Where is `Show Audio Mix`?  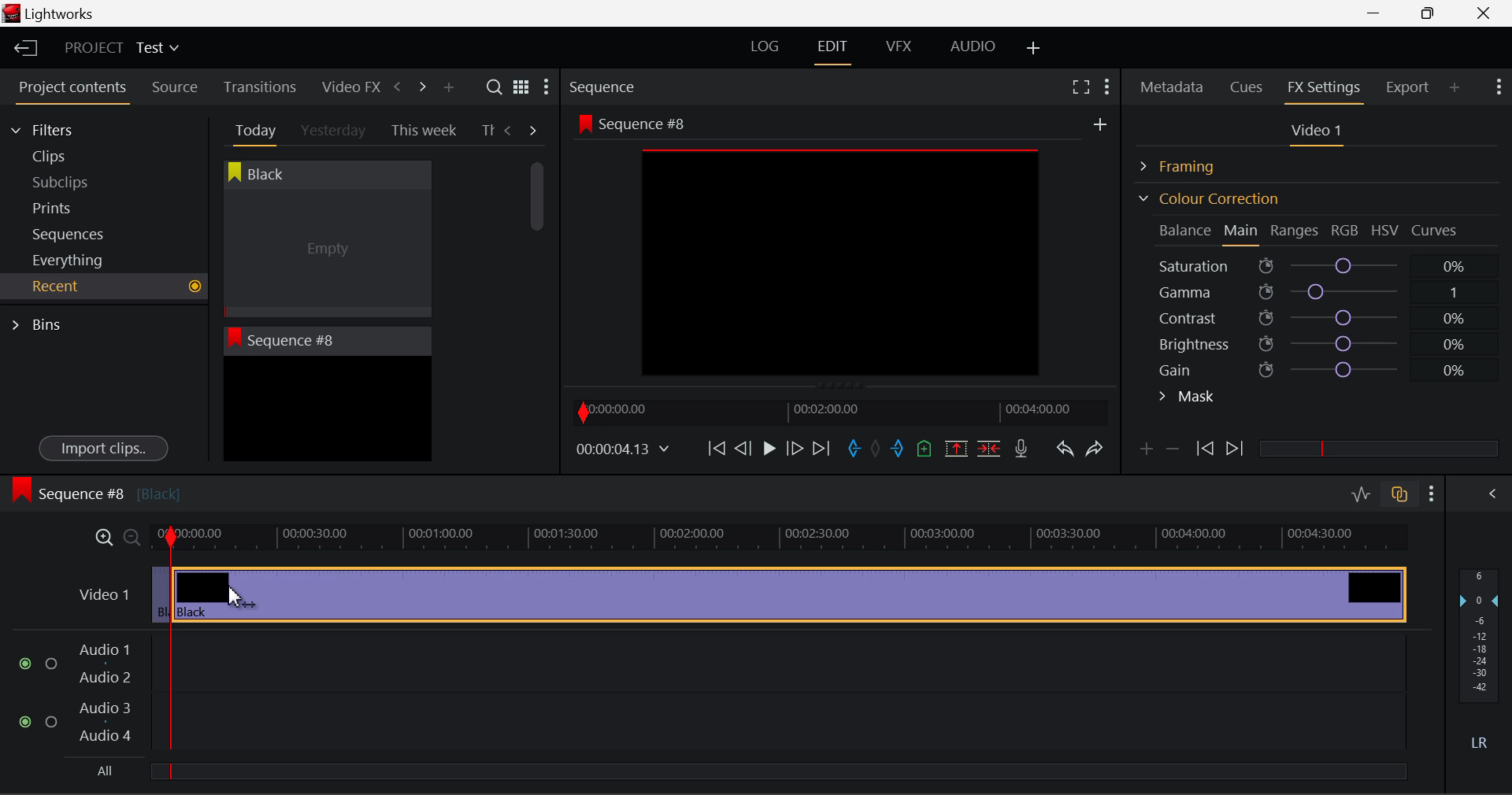
Show Audio Mix is located at coordinates (1494, 492).